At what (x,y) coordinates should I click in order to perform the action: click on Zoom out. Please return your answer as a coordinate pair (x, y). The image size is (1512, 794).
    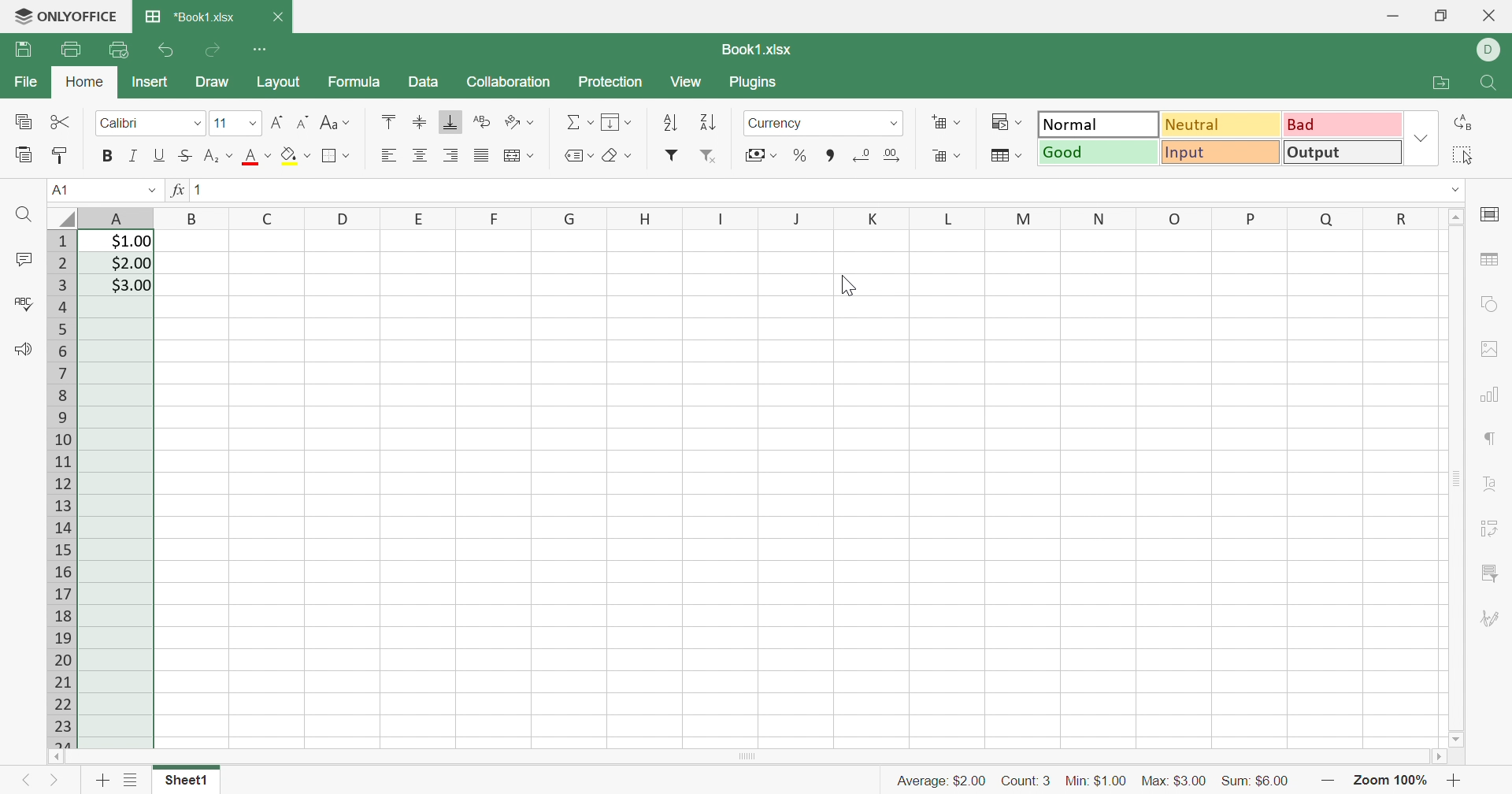
    Looking at the image, I should click on (1455, 783).